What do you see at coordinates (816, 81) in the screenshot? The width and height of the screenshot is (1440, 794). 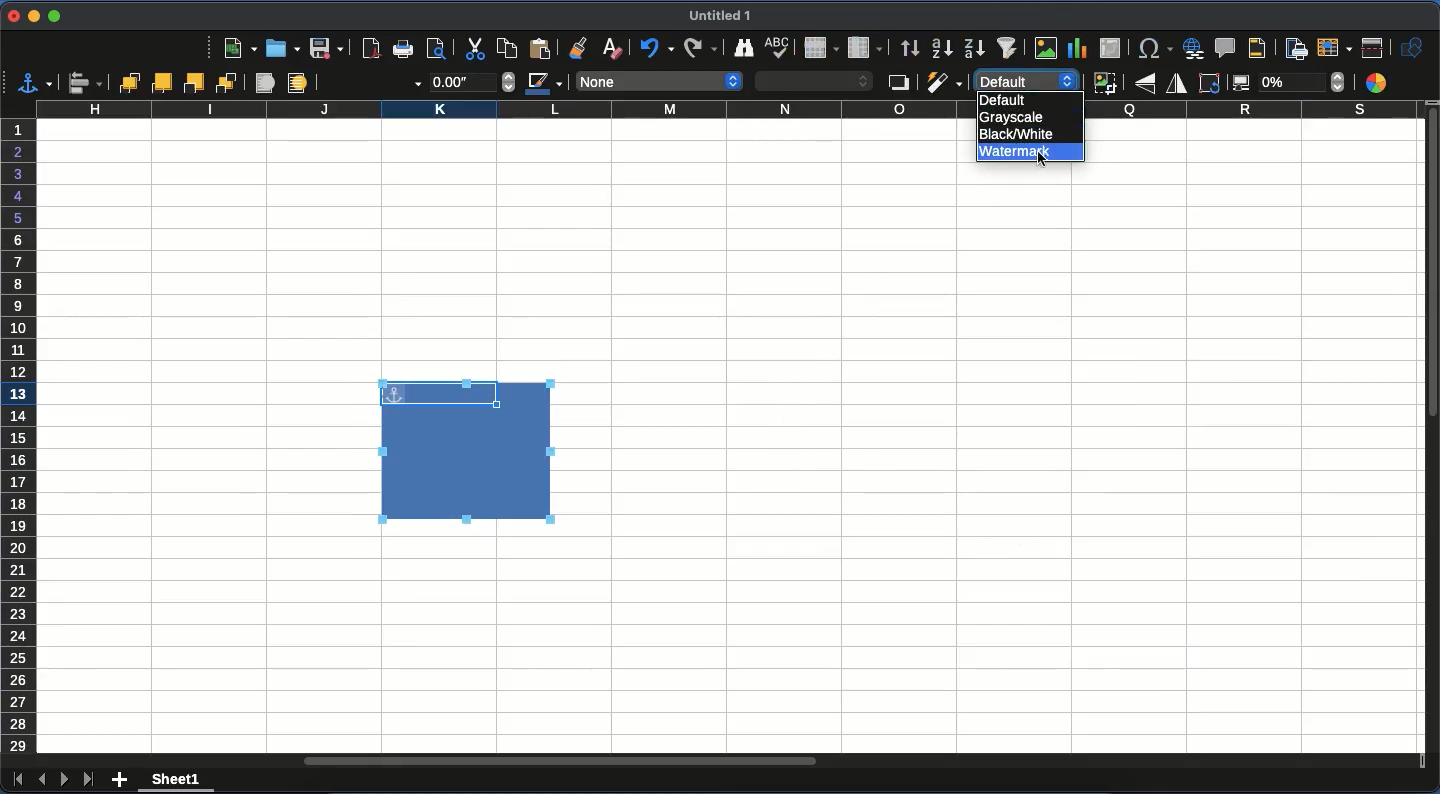 I see `area style / filing` at bounding box center [816, 81].